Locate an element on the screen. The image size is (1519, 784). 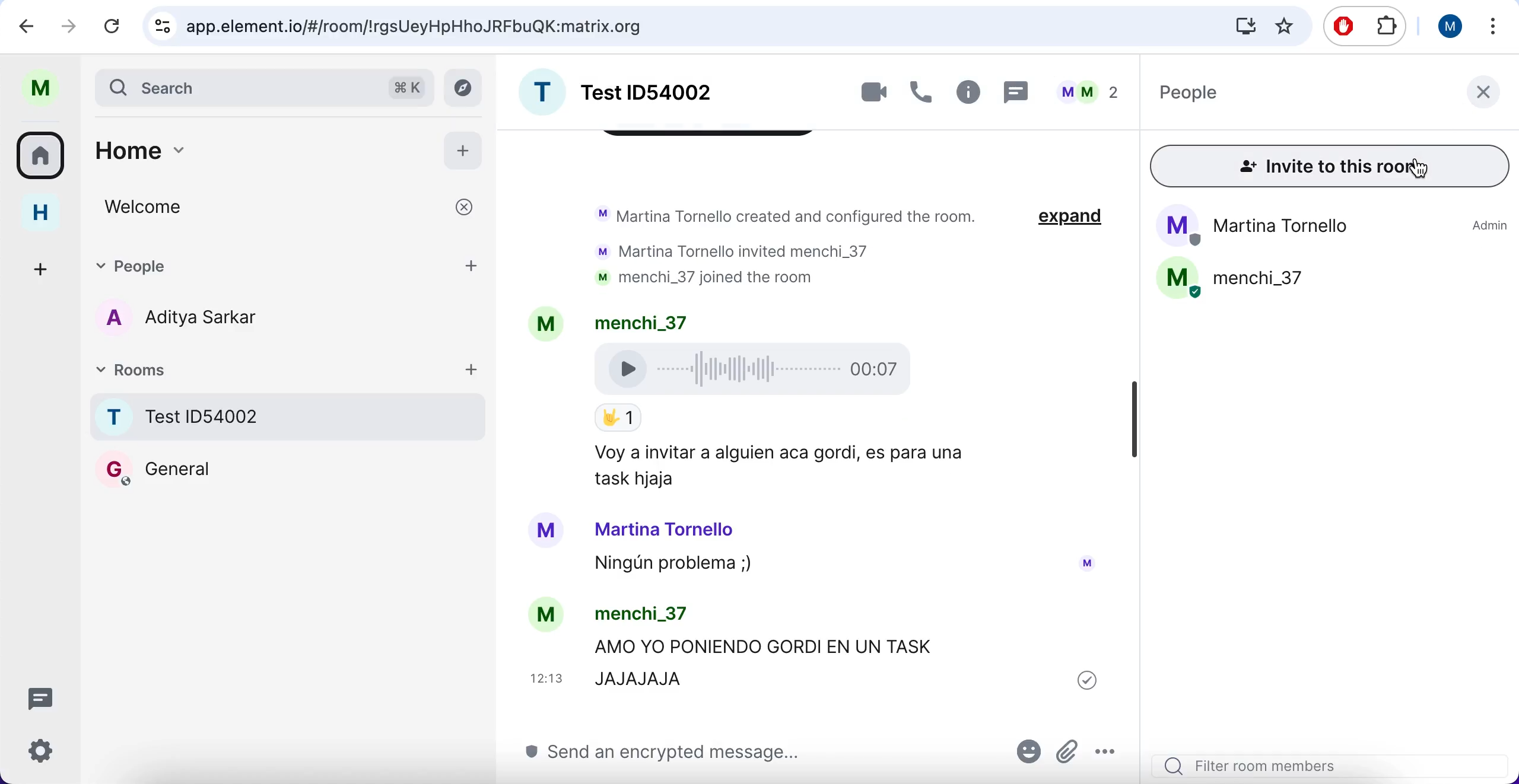
welcome is located at coordinates (296, 207).